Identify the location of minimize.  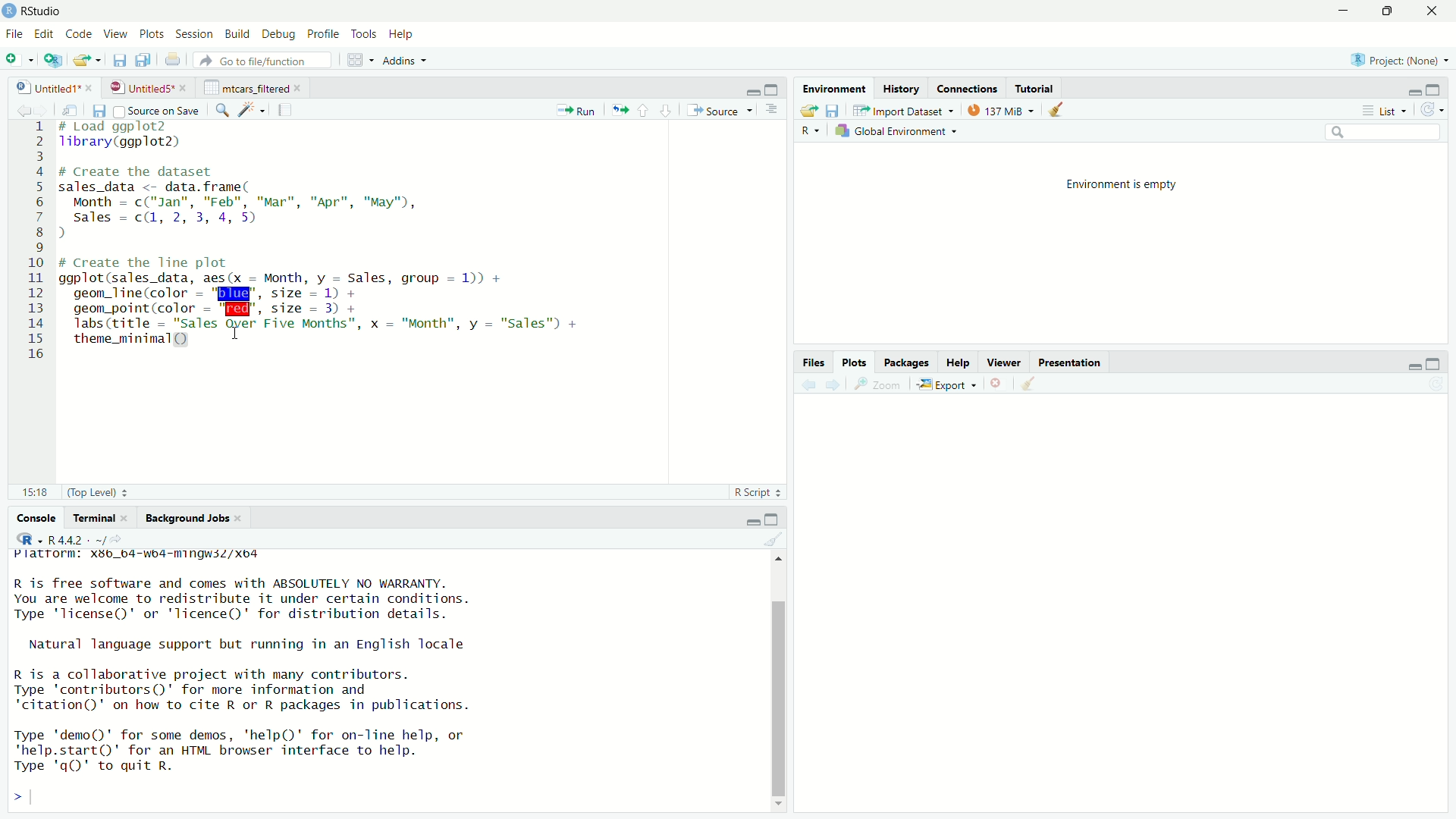
(1413, 366).